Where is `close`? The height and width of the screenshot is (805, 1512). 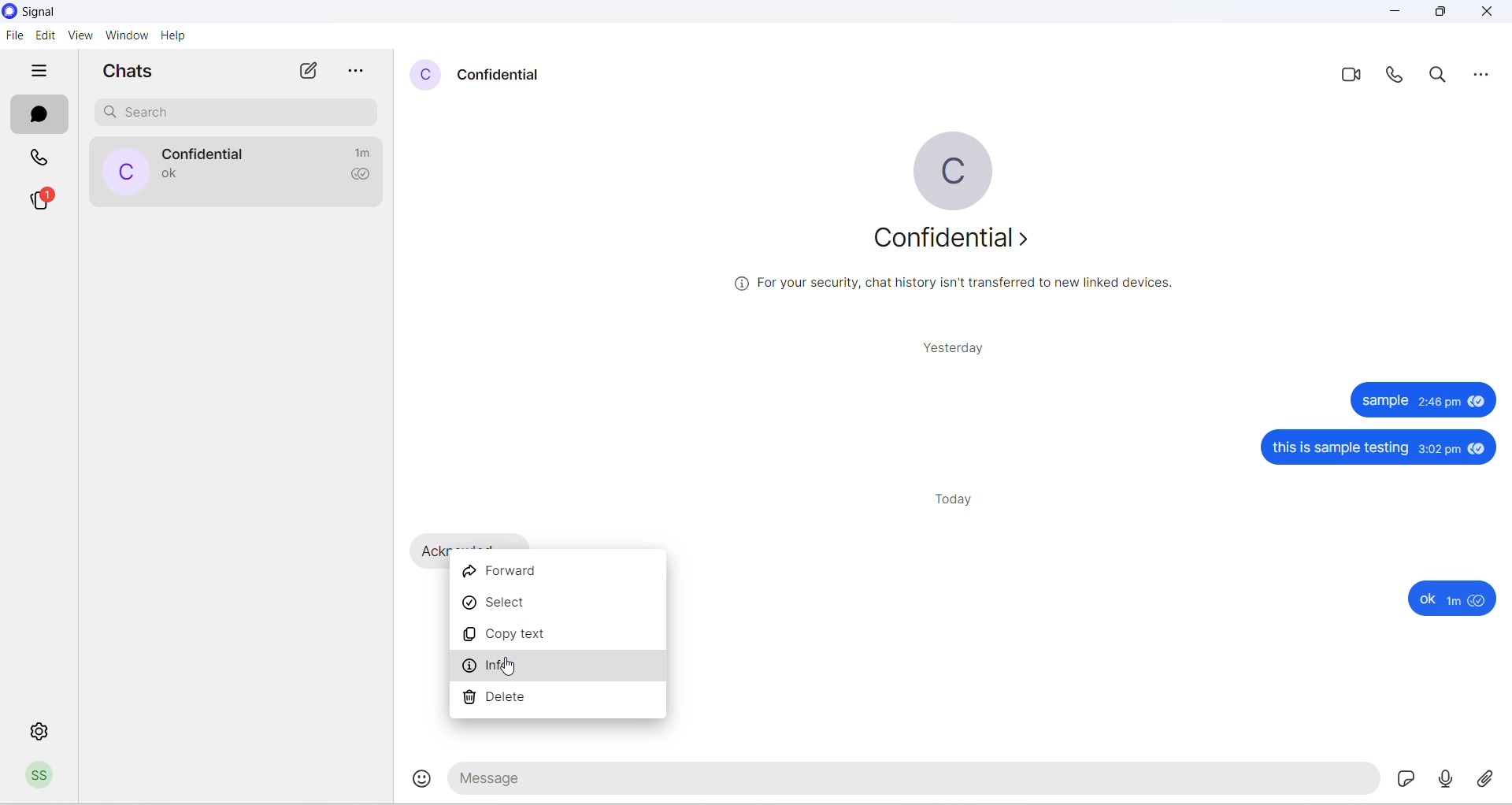
close is located at coordinates (1488, 12).